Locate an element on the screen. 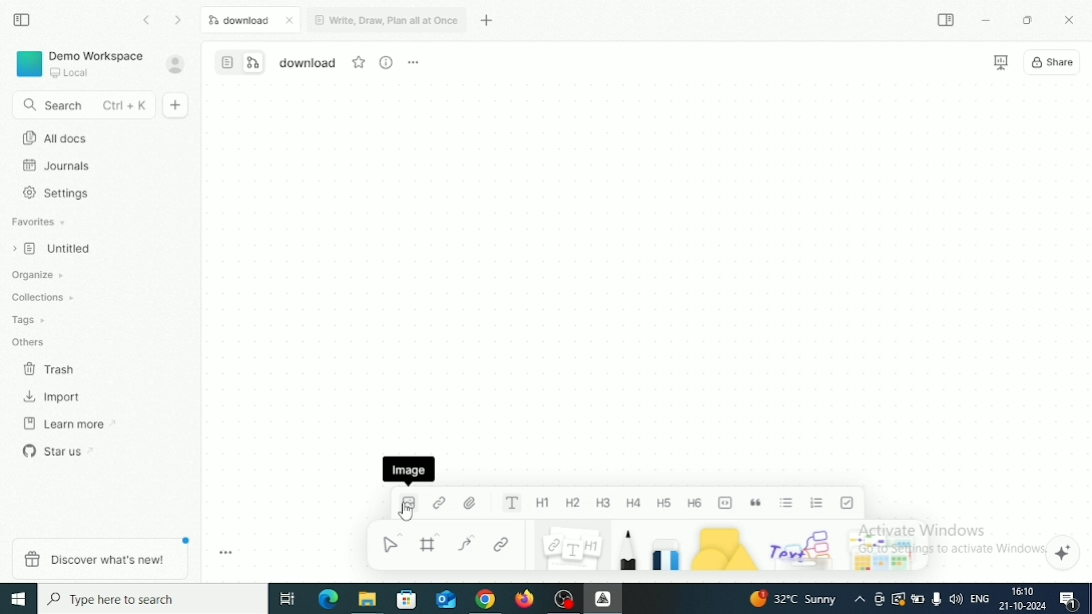 Image resolution: width=1092 pixels, height=614 pixels. Type here to search is located at coordinates (152, 599).